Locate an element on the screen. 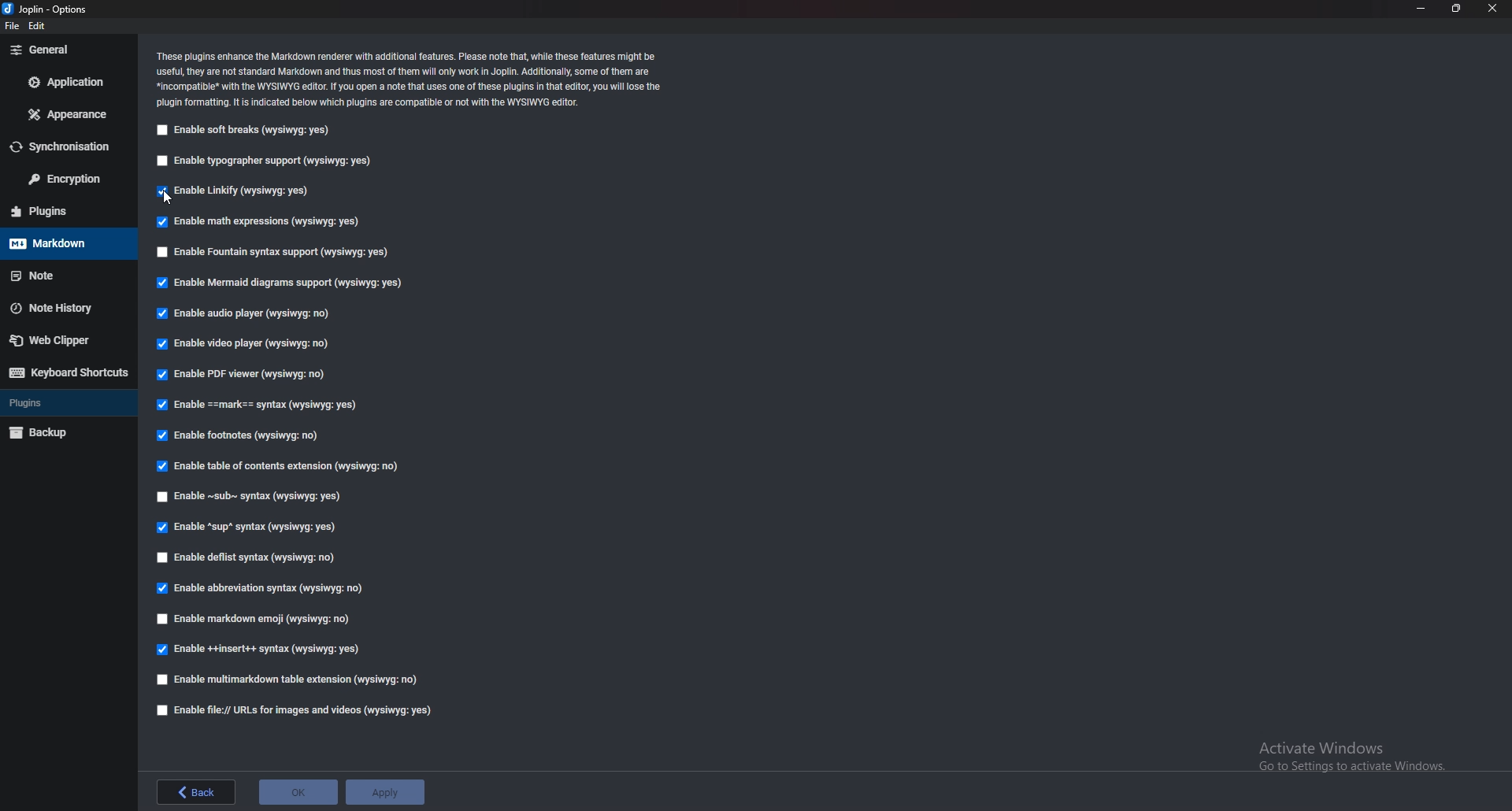 This screenshot has height=811, width=1512. Activate Windows is located at coordinates (1347, 759).